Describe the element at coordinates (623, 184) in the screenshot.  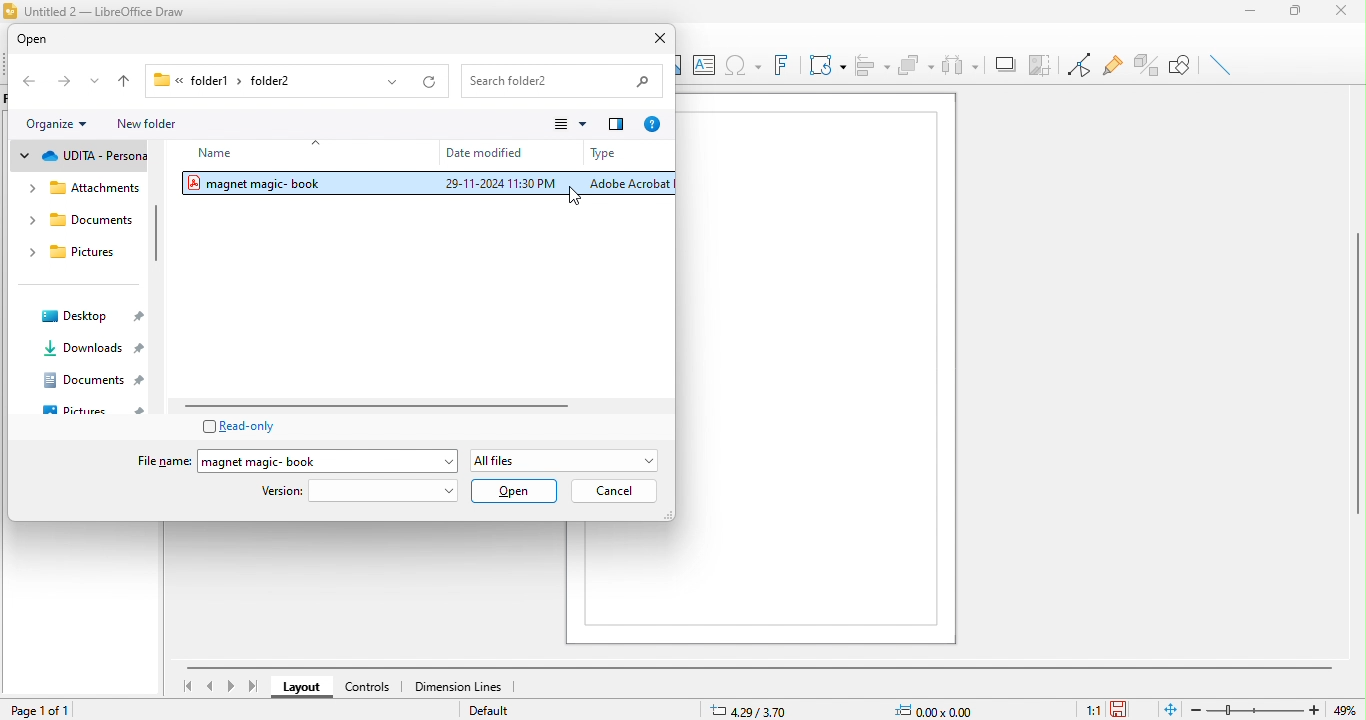
I see `Adobe Acrobat` at that location.